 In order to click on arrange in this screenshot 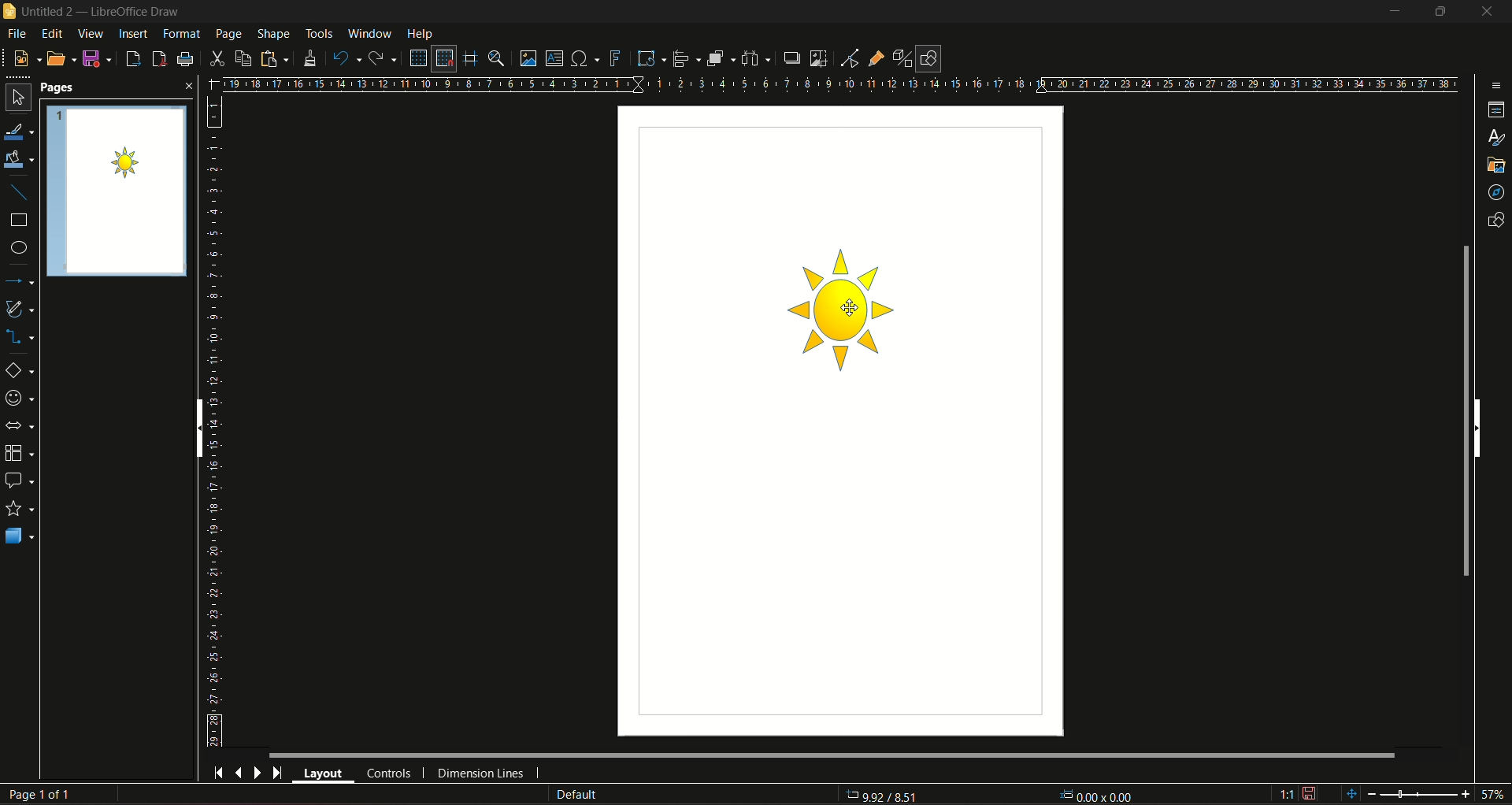, I will do `click(721, 57)`.